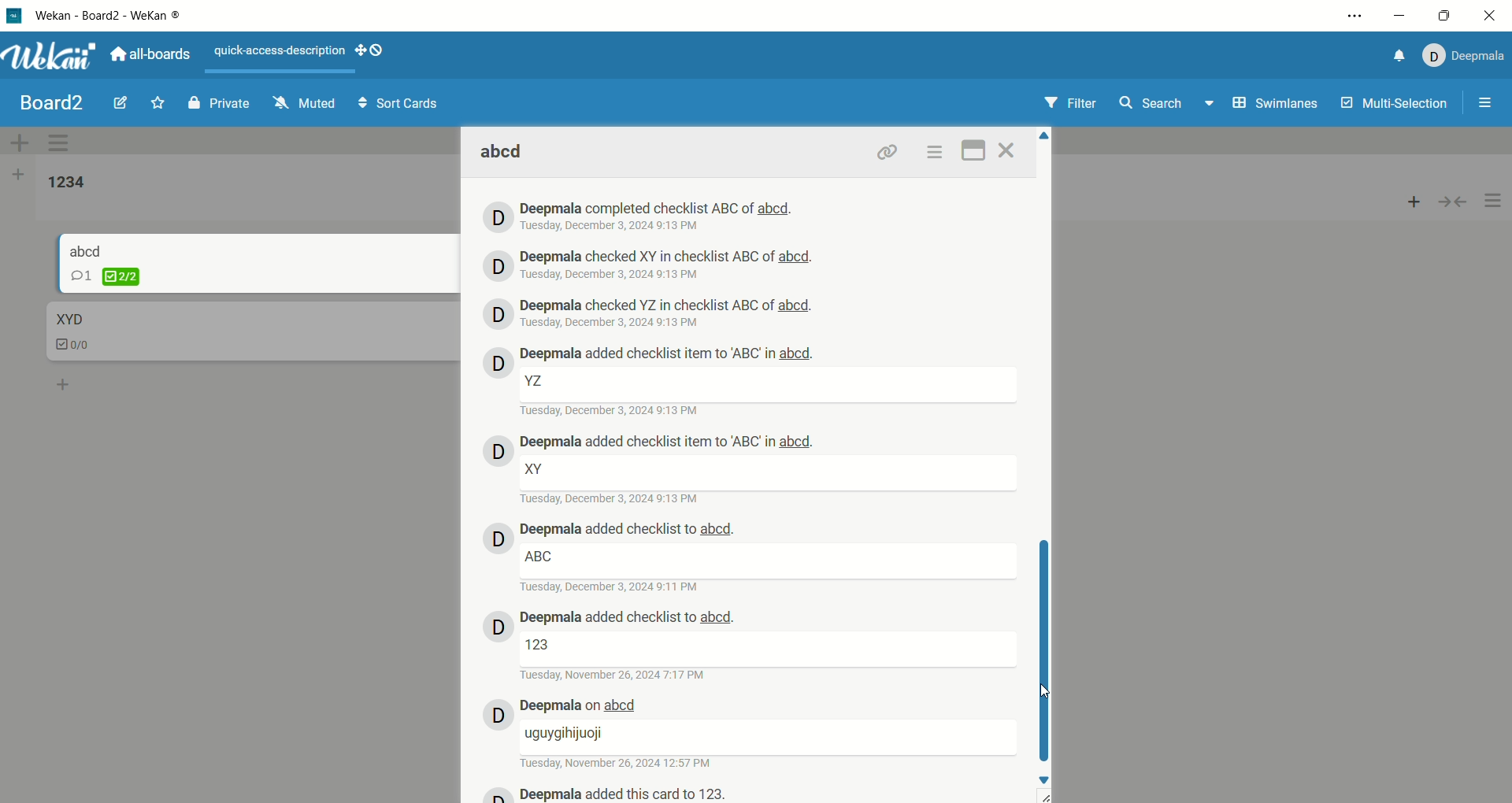 The width and height of the screenshot is (1512, 803). I want to click on date and time, so click(614, 226).